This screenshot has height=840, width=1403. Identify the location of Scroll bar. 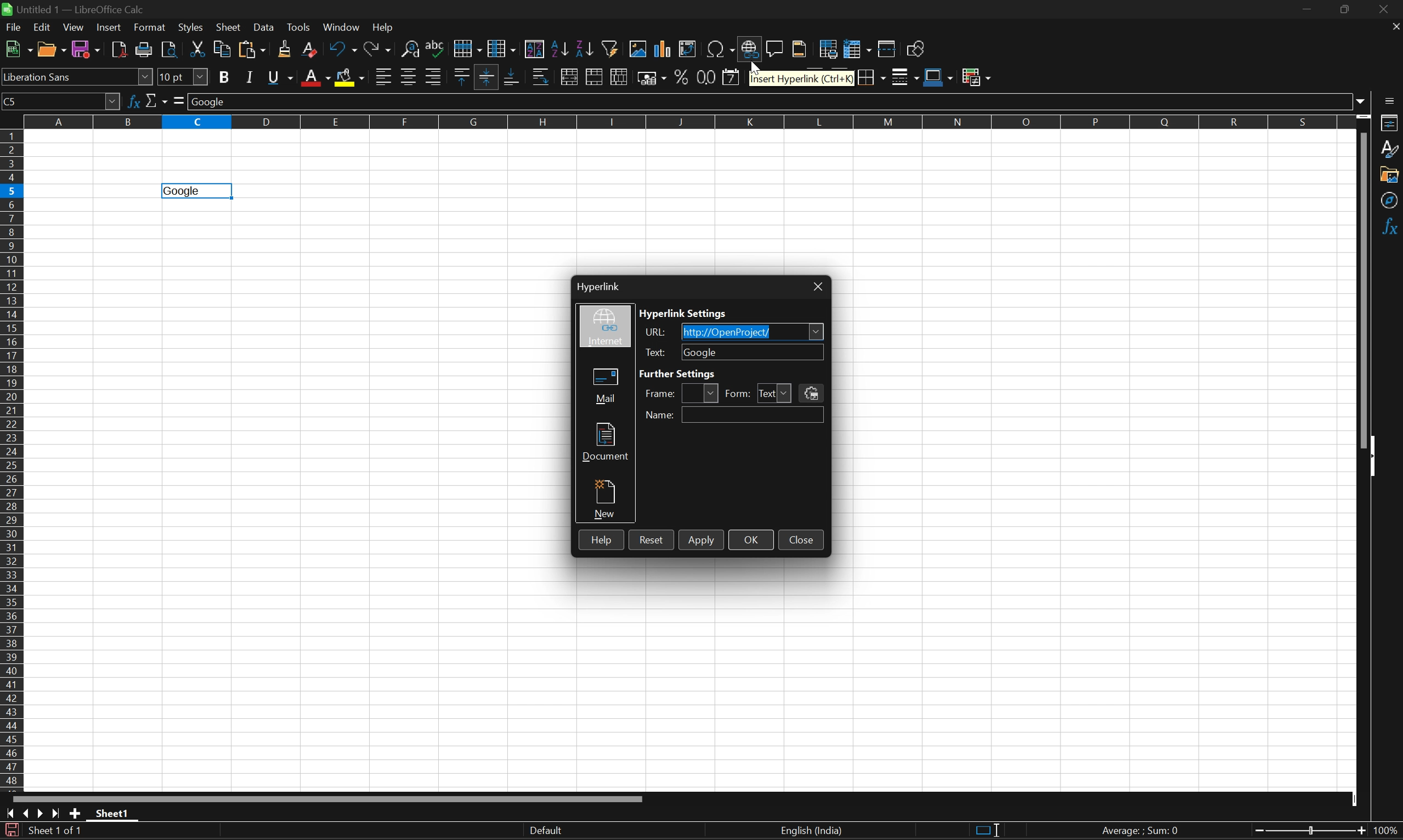
(328, 799).